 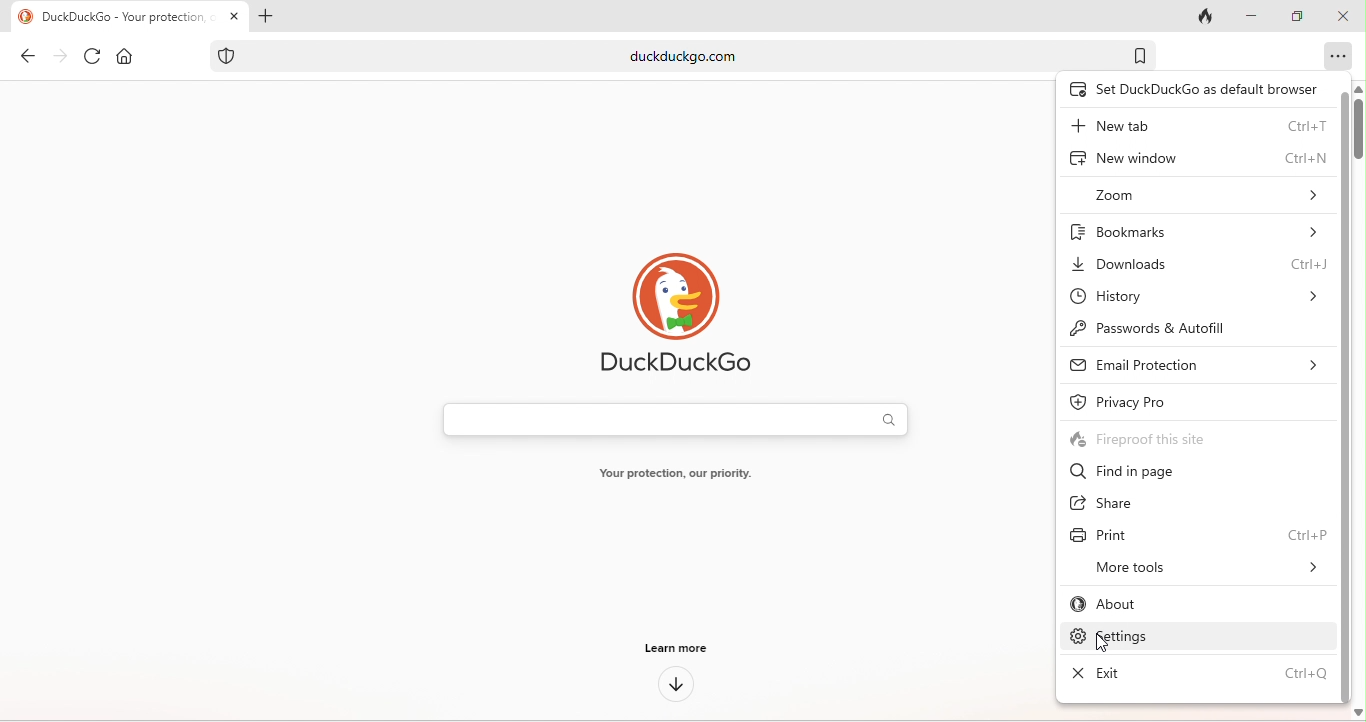 I want to click on set duck duck go default browser, so click(x=1191, y=86).